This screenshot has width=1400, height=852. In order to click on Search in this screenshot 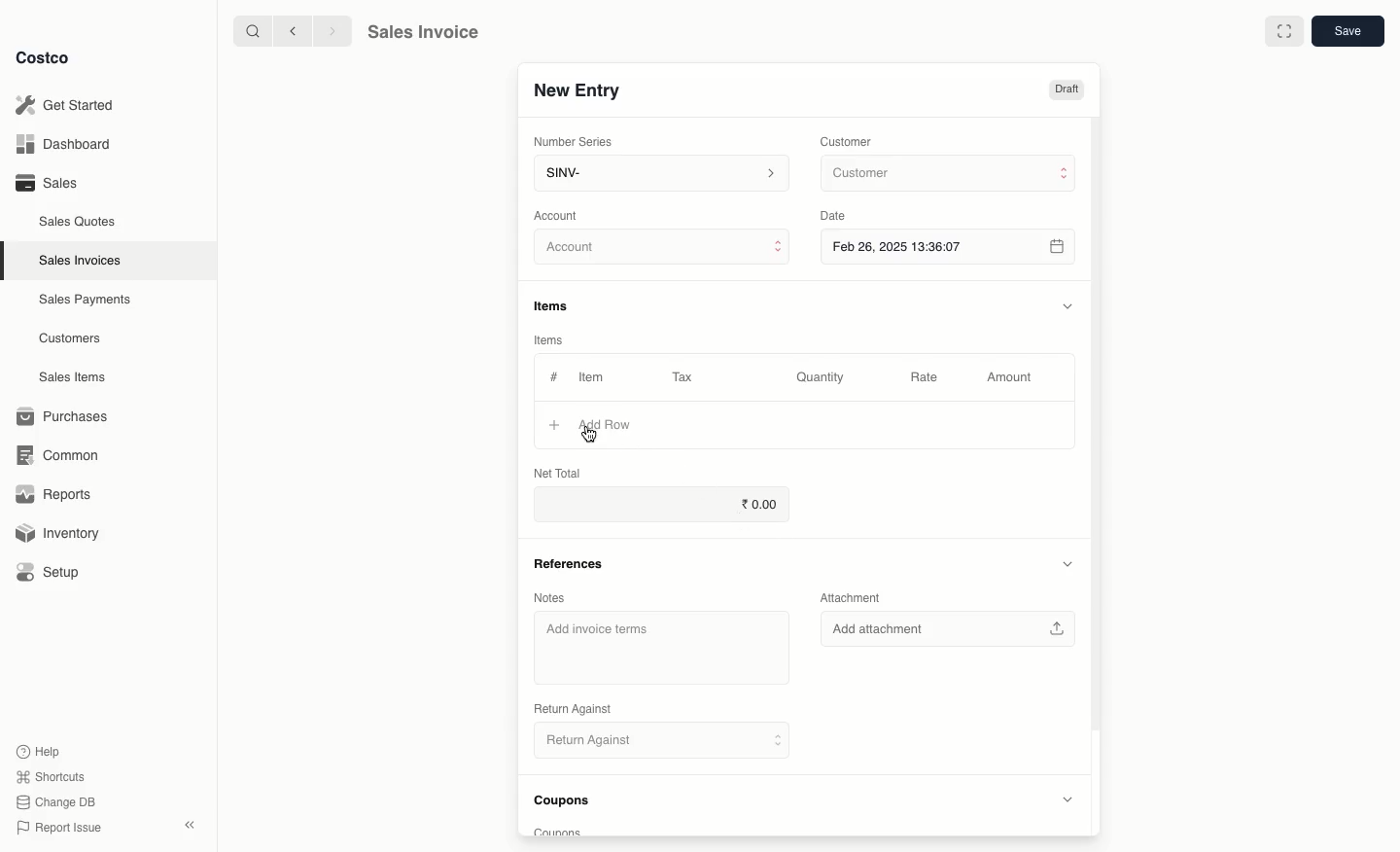, I will do `click(250, 30)`.